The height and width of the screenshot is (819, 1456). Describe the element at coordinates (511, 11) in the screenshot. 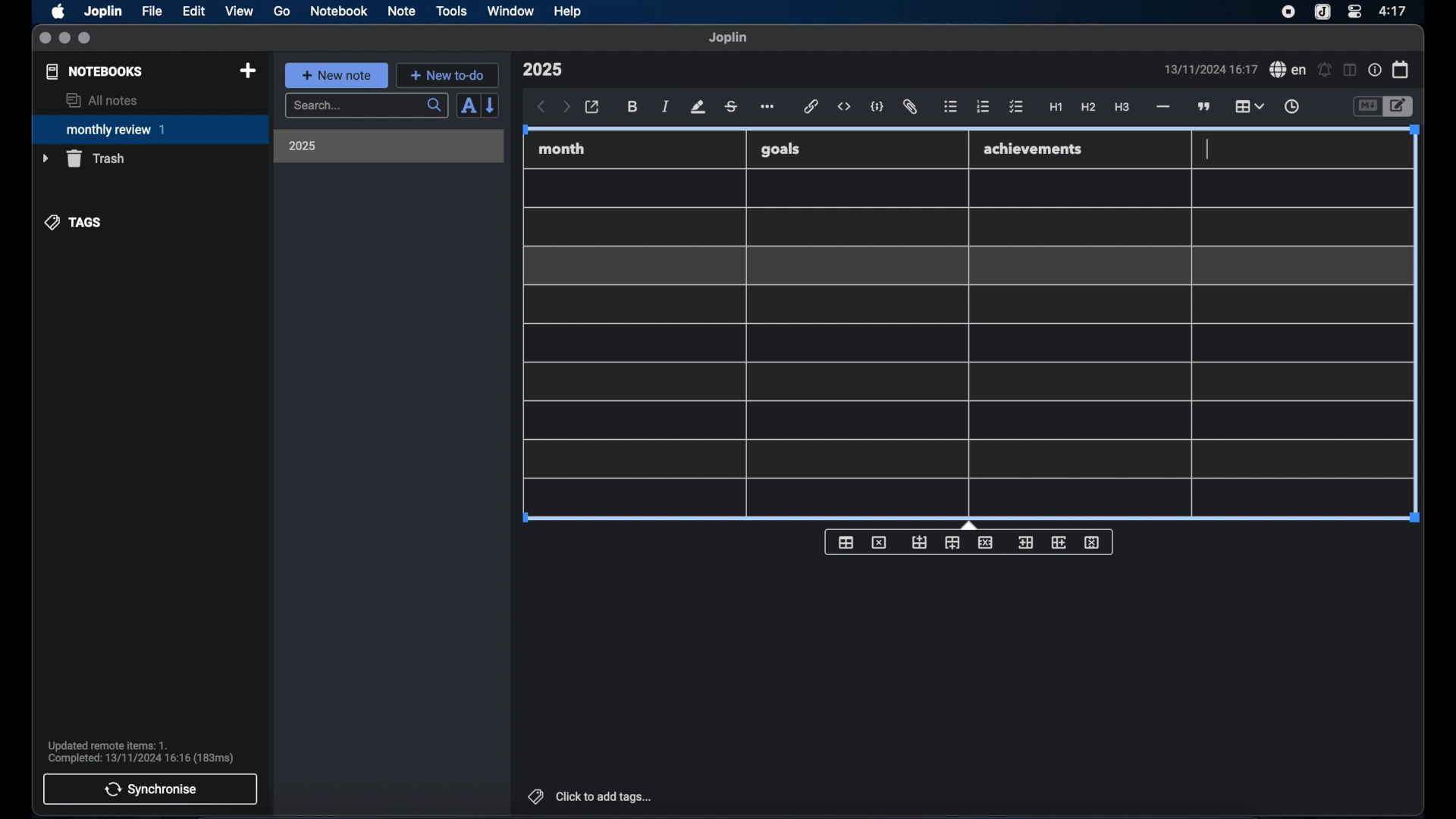

I see `window` at that location.